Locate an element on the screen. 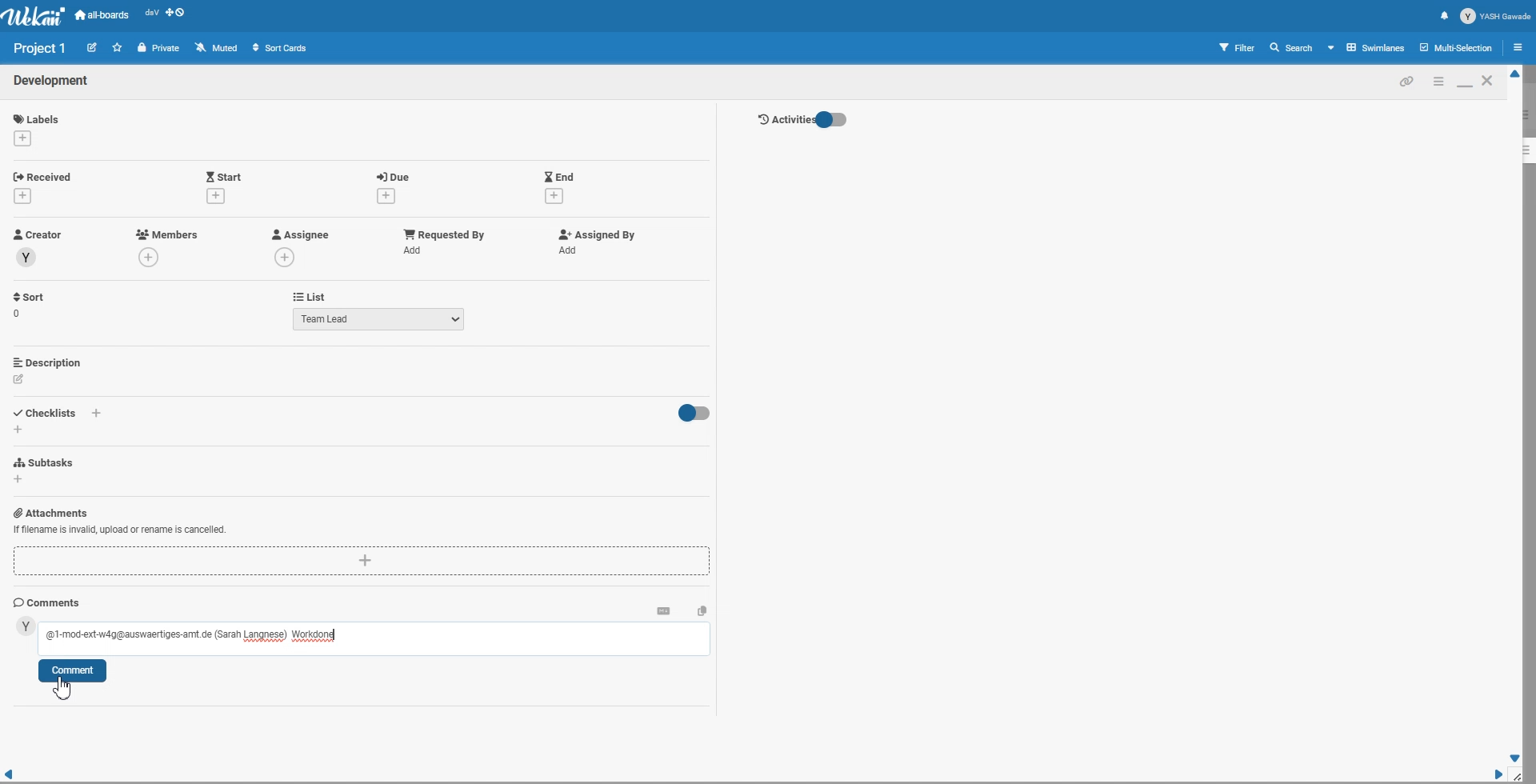 This screenshot has width=1536, height=784. Notification is located at coordinates (1444, 15).